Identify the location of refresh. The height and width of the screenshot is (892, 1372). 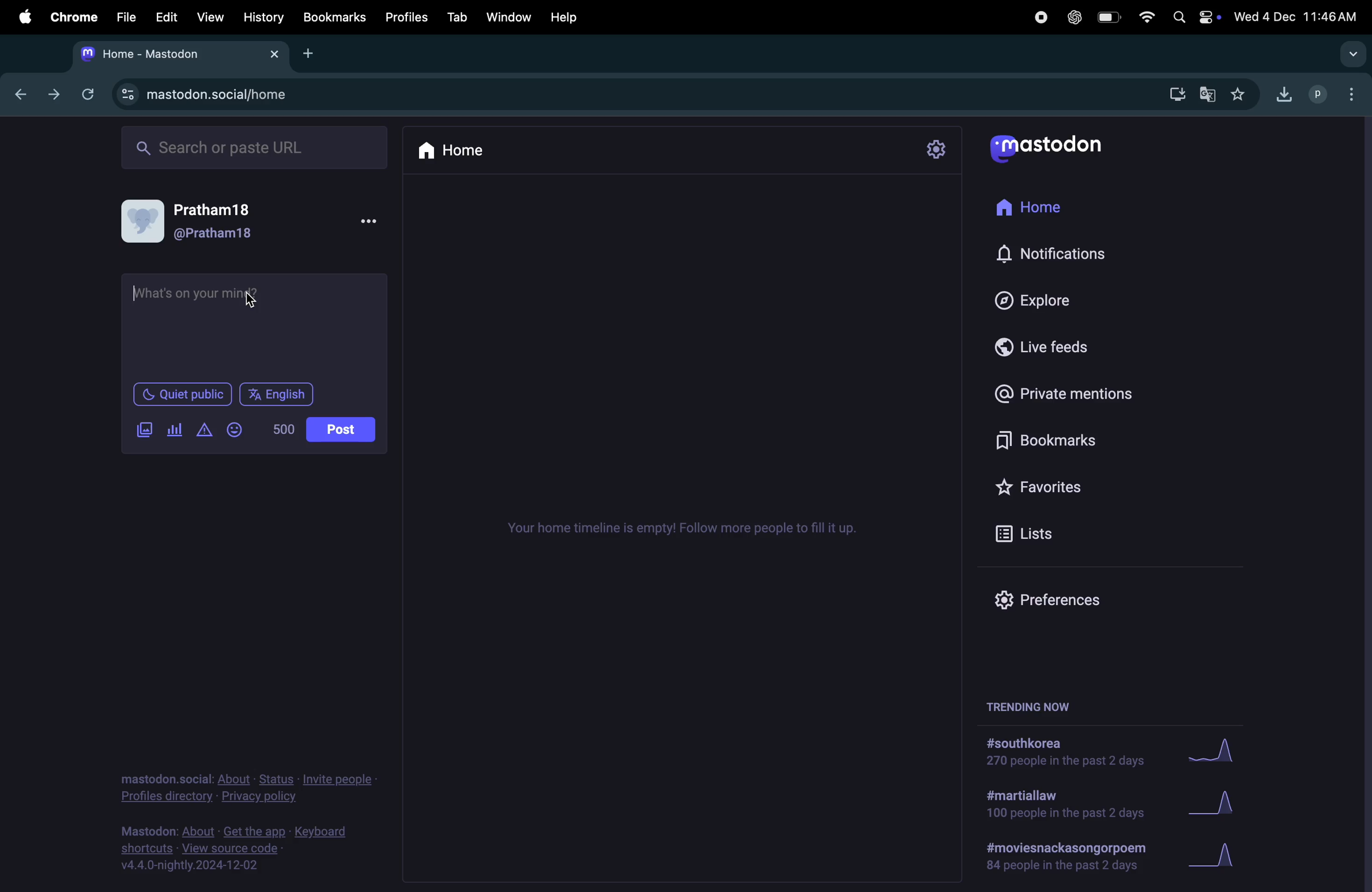
(92, 95).